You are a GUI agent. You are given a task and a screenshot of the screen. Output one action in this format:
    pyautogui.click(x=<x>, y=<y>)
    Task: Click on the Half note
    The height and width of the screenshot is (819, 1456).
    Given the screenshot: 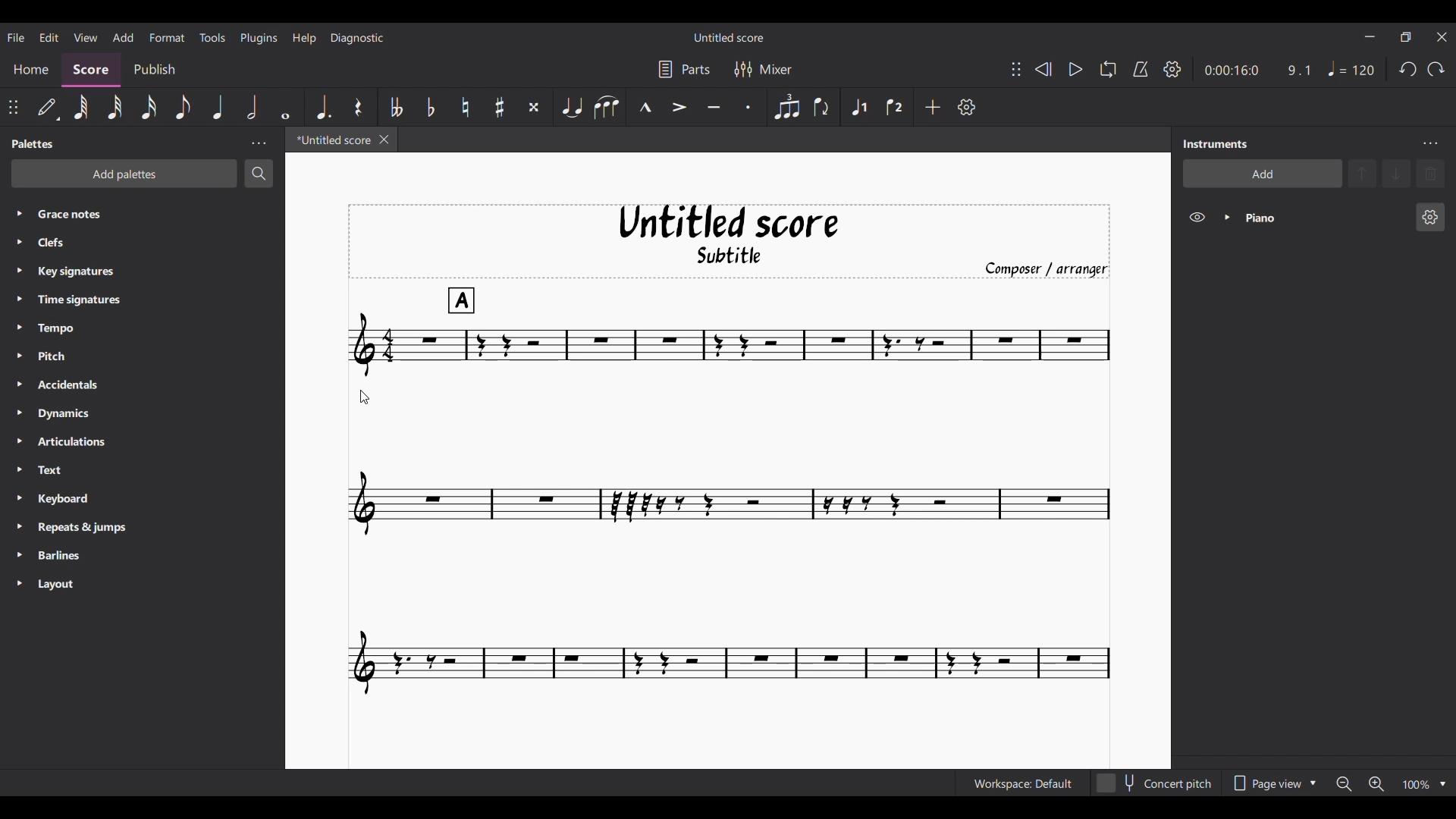 What is the action you would take?
    pyautogui.click(x=251, y=107)
    